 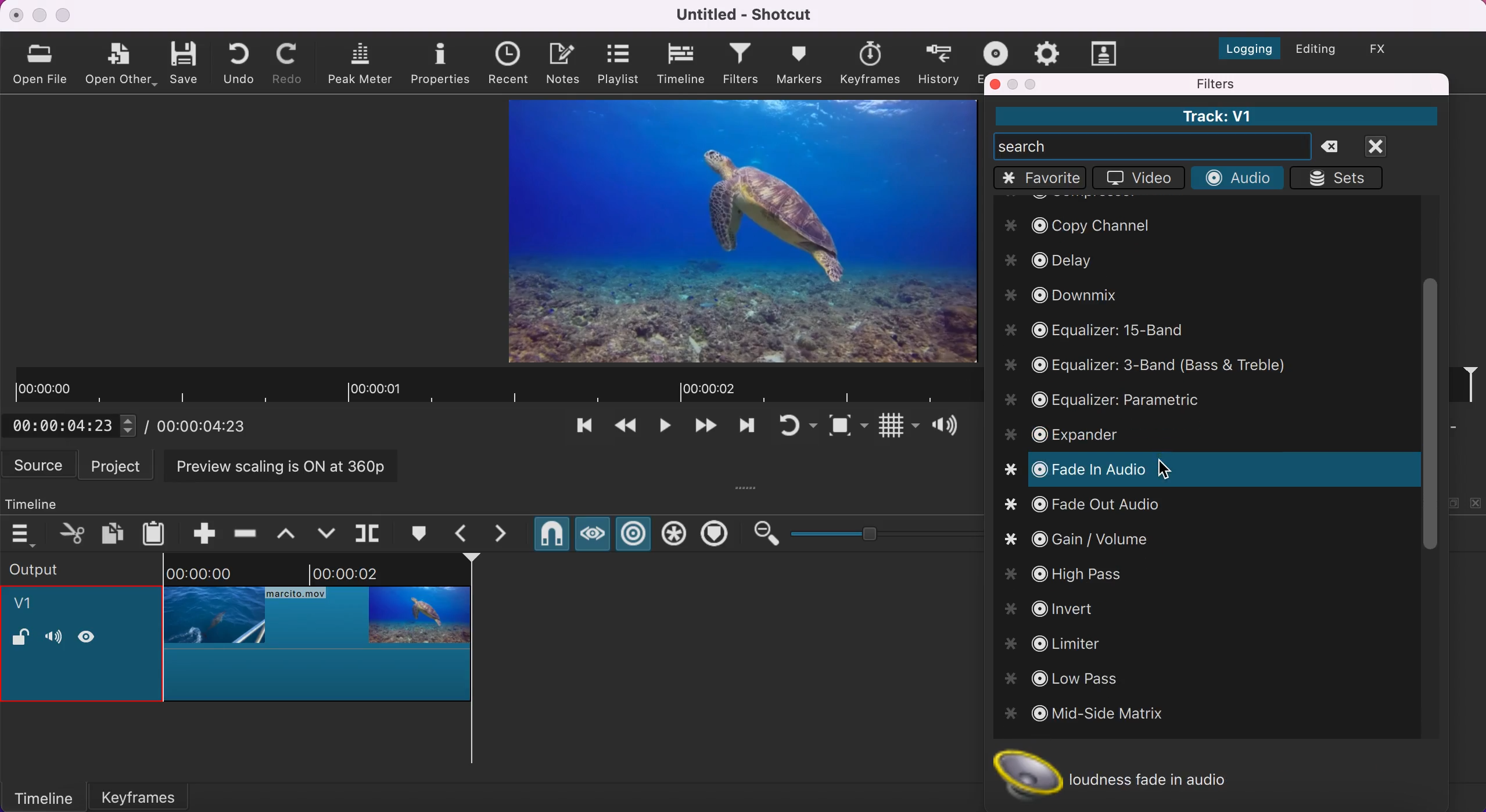 What do you see at coordinates (1105, 53) in the screenshot?
I see `subtitles` at bounding box center [1105, 53].